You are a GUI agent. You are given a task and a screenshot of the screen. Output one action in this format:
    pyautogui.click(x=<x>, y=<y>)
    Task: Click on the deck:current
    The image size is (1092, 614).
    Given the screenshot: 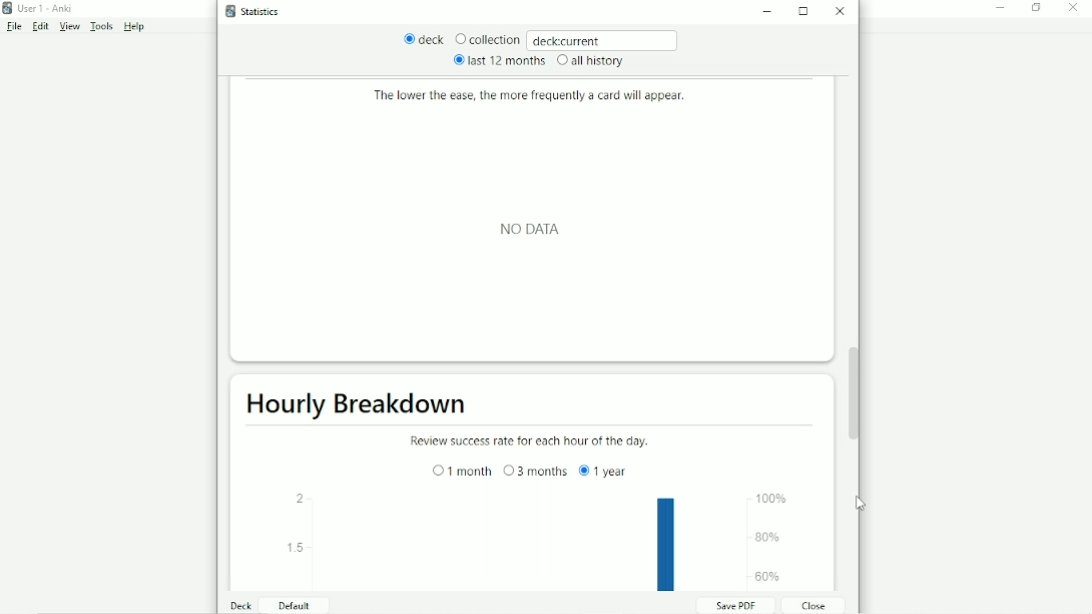 What is the action you would take?
    pyautogui.click(x=604, y=39)
    